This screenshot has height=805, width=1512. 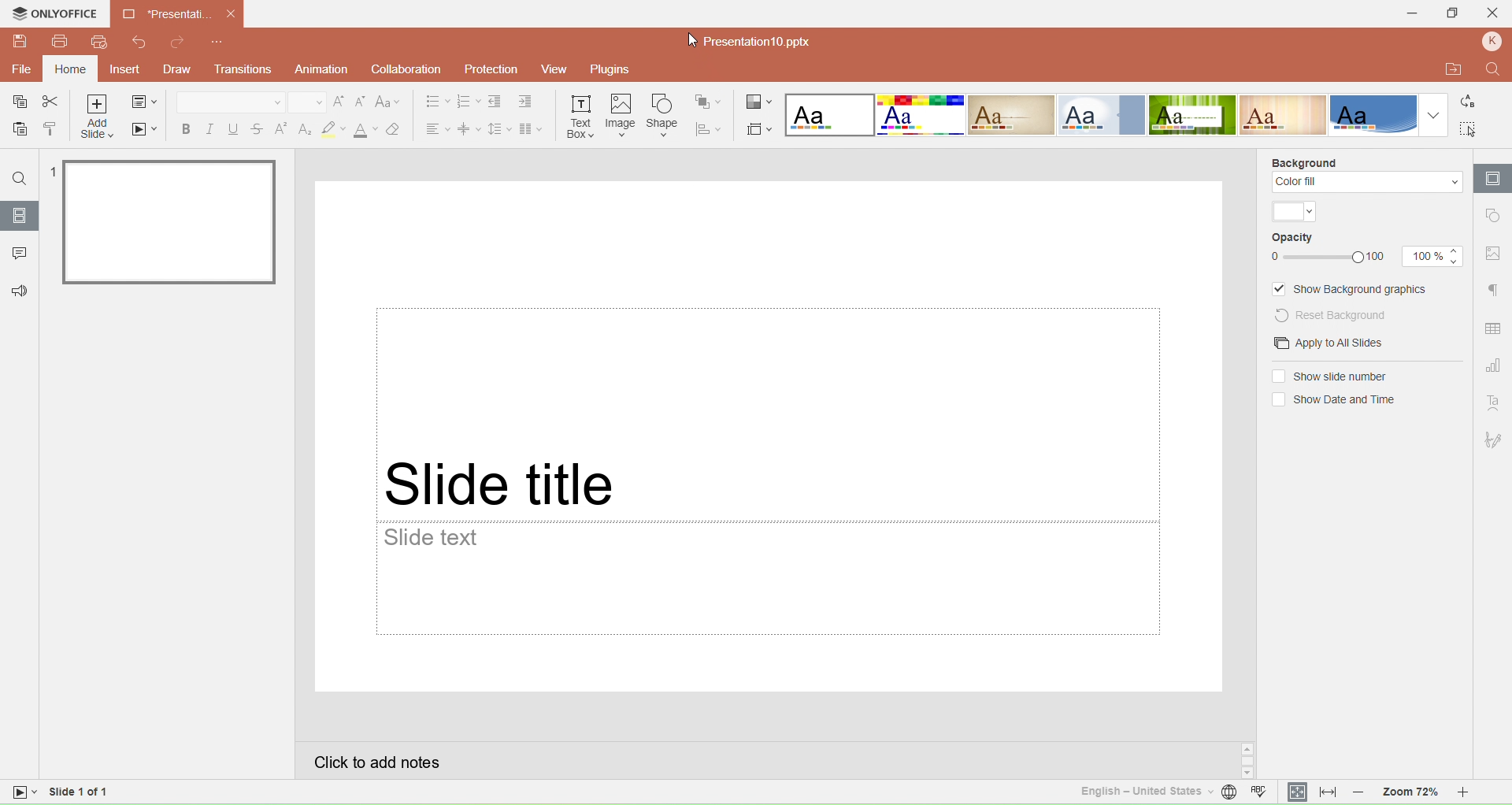 What do you see at coordinates (258, 128) in the screenshot?
I see `Strike through` at bounding box center [258, 128].